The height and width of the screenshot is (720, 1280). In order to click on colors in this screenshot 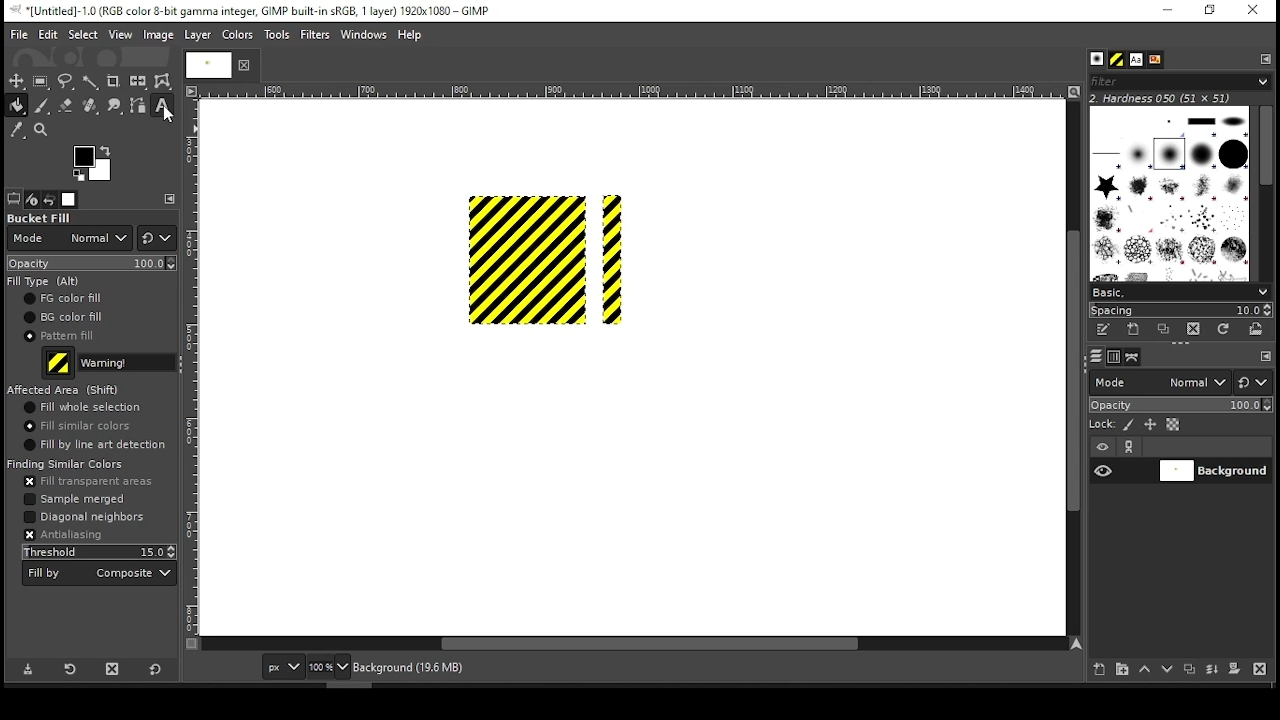, I will do `click(93, 163)`.